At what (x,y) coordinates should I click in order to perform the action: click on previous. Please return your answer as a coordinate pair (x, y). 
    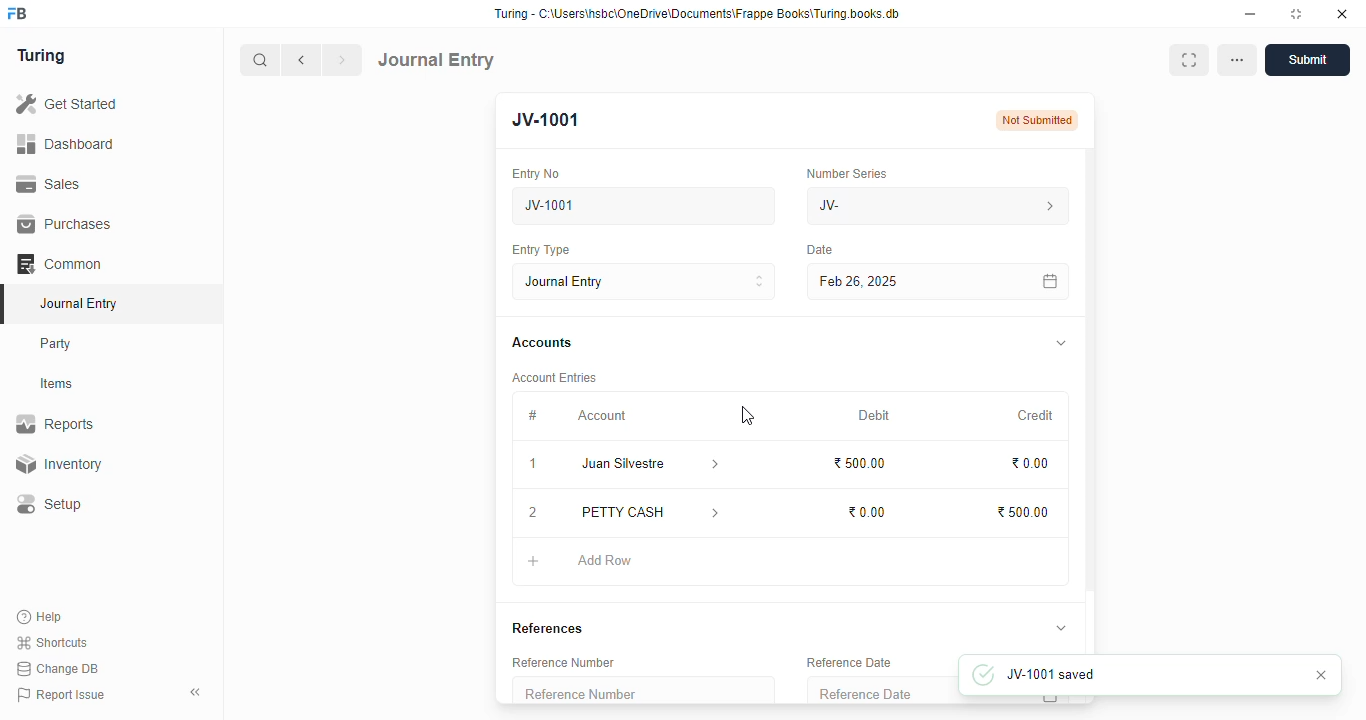
    Looking at the image, I should click on (303, 60).